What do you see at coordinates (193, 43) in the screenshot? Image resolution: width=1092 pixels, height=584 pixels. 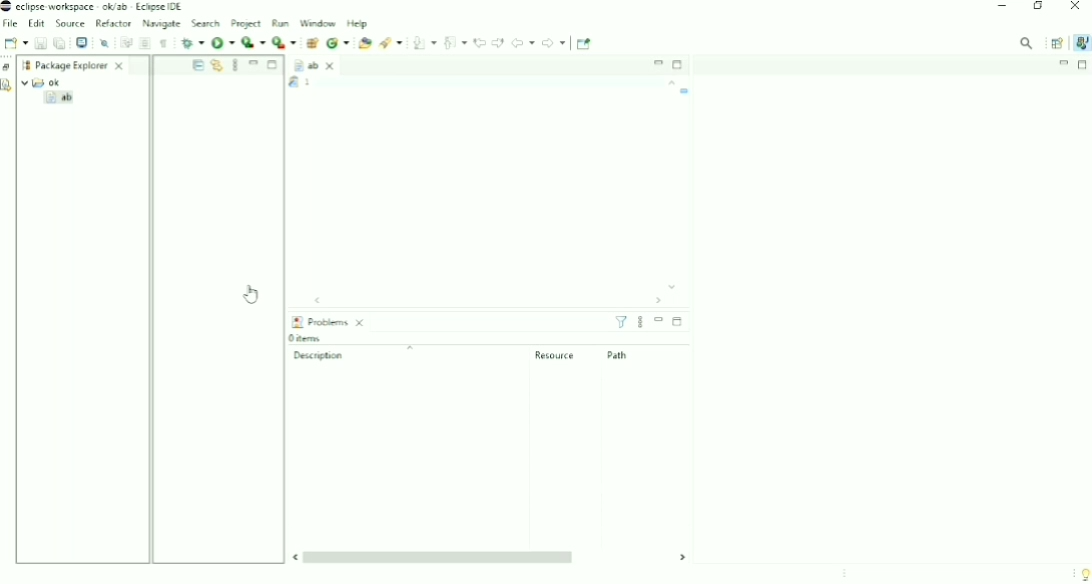 I see `Debug` at bounding box center [193, 43].